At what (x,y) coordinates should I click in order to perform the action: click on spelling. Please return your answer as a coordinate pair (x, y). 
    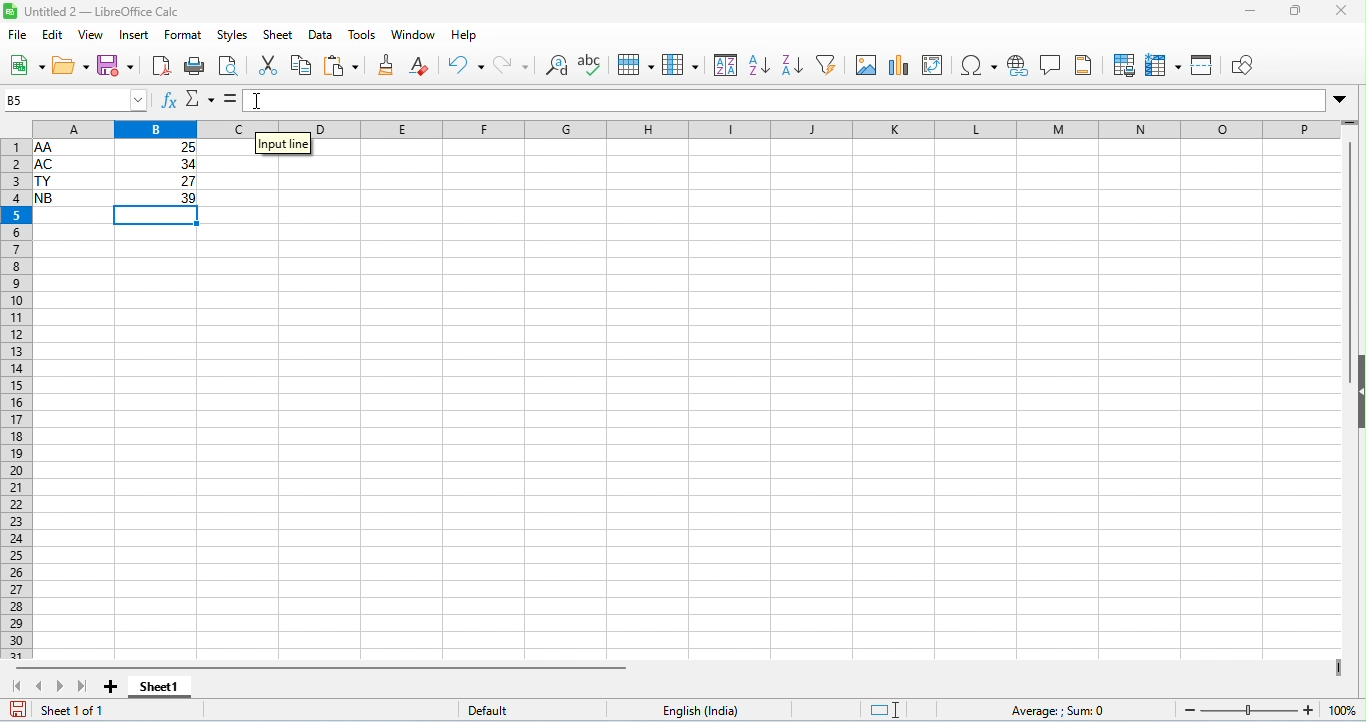
    Looking at the image, I should click on (592, 64).